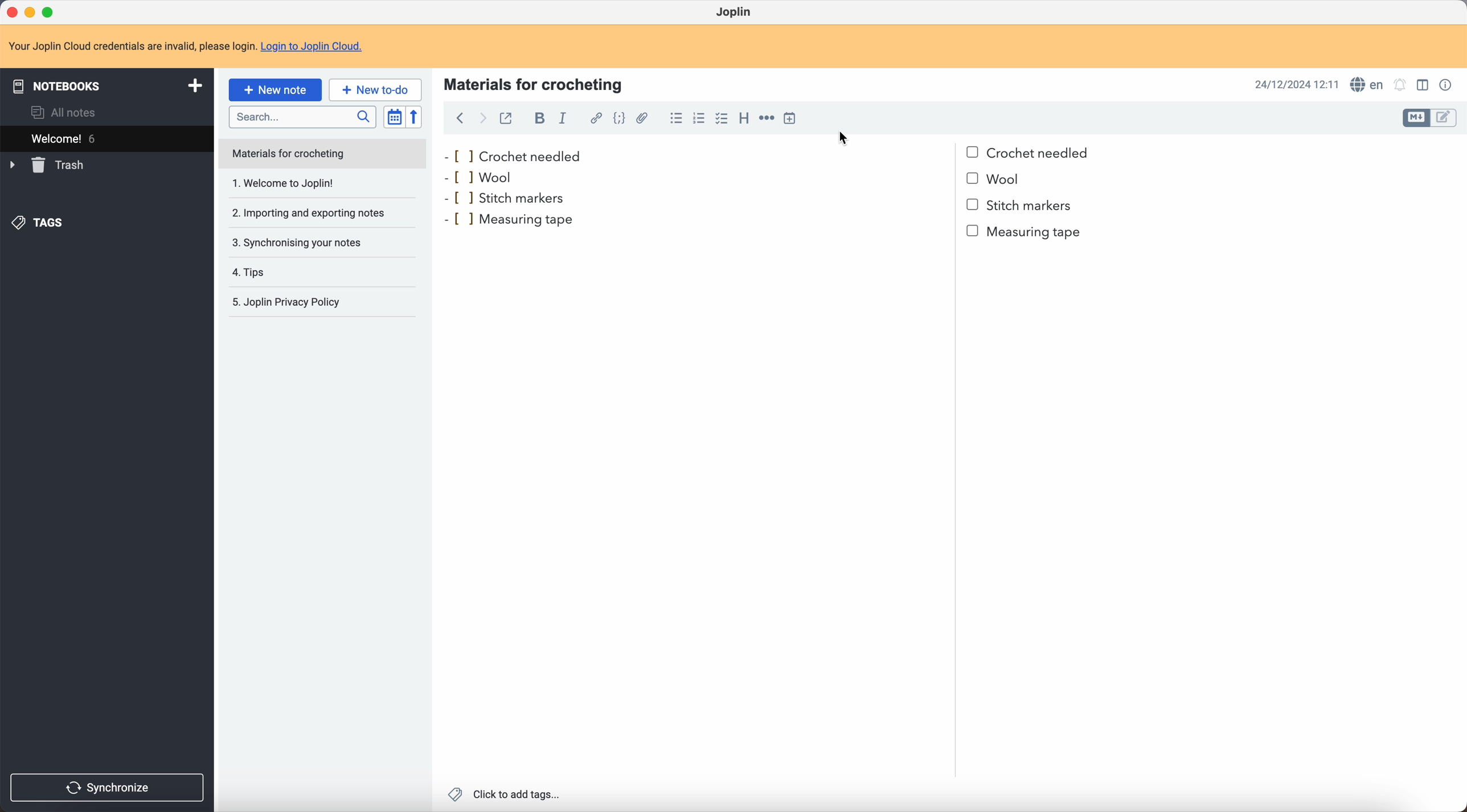  Describe the element at coordinates (645, 118) in the screenshot. I see `attach file` at that location.